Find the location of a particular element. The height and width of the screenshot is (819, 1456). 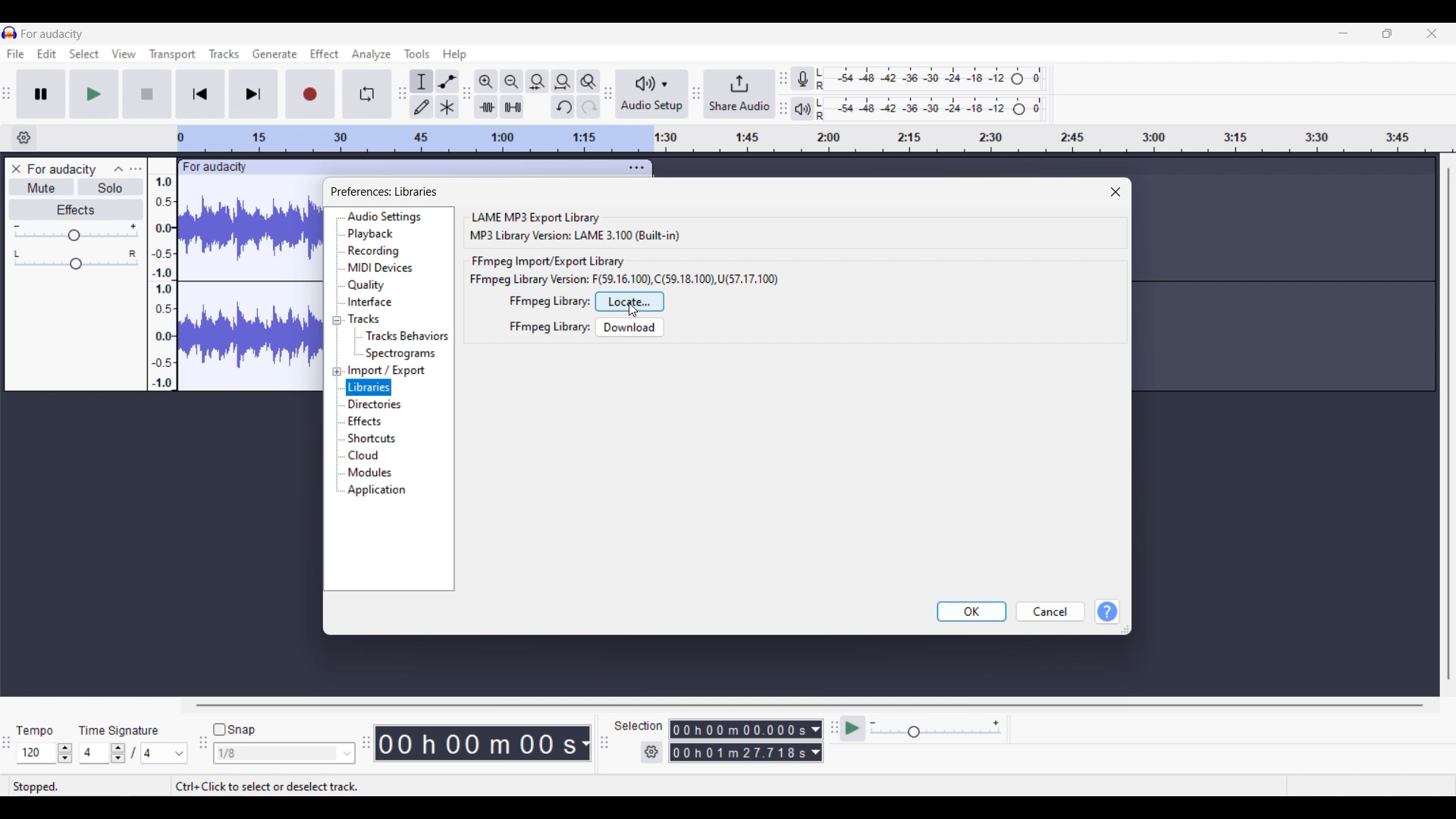

Tracks menu is located at coordinates (224, 54).